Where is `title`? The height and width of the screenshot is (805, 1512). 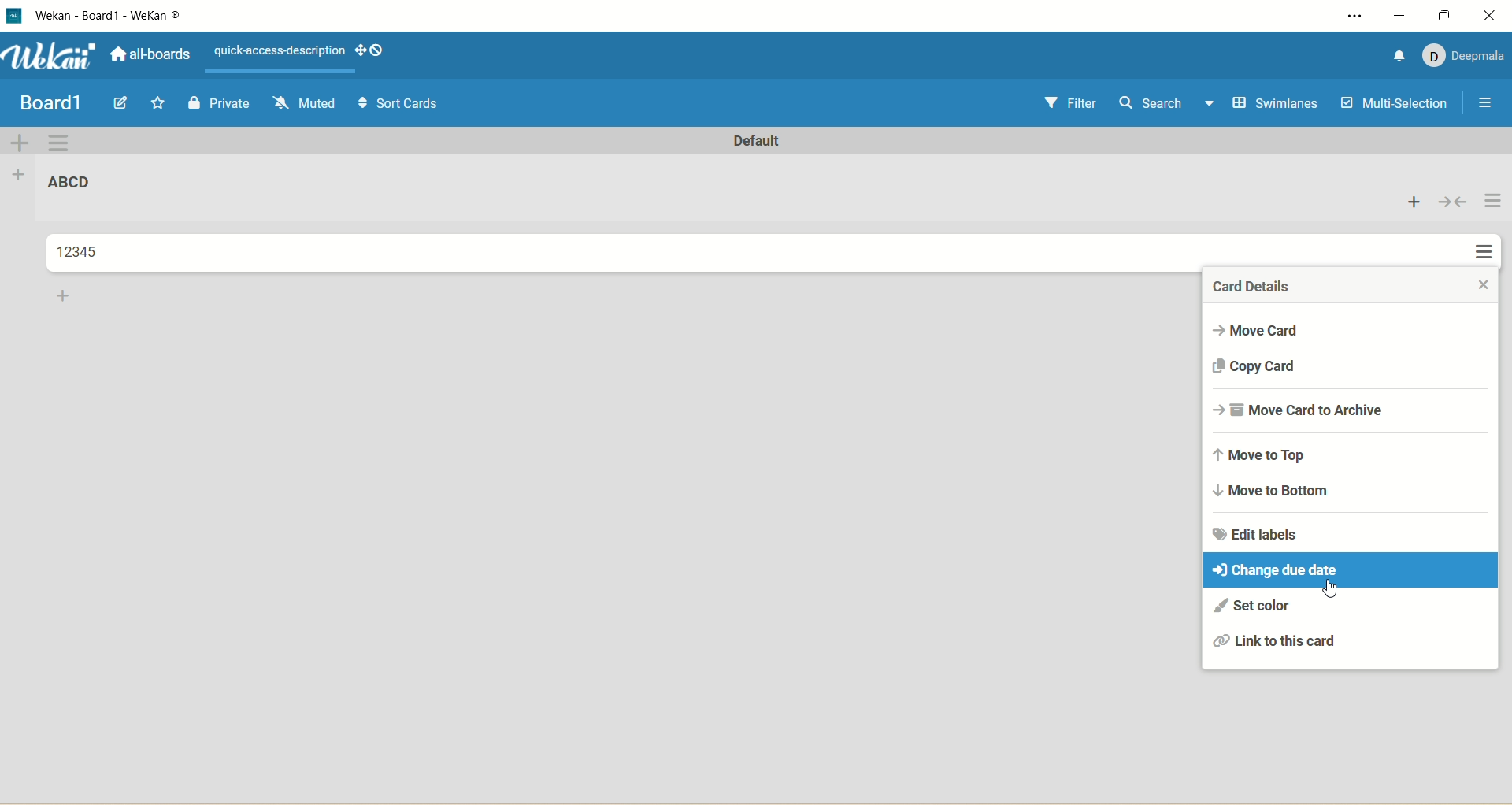
title is located at coordinates (110, 20).